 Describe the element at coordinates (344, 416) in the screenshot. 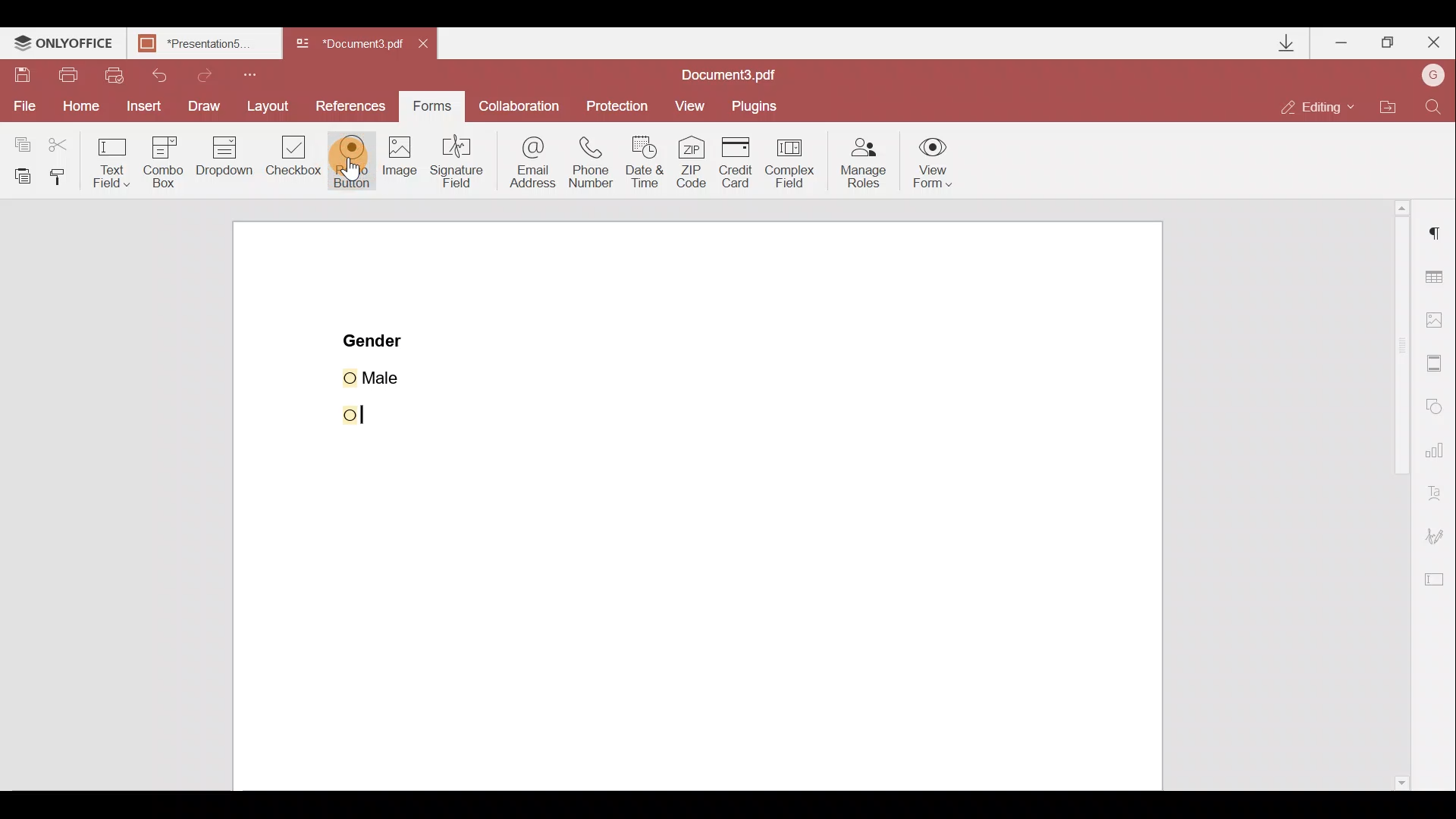

I see `Cursor` at that location.